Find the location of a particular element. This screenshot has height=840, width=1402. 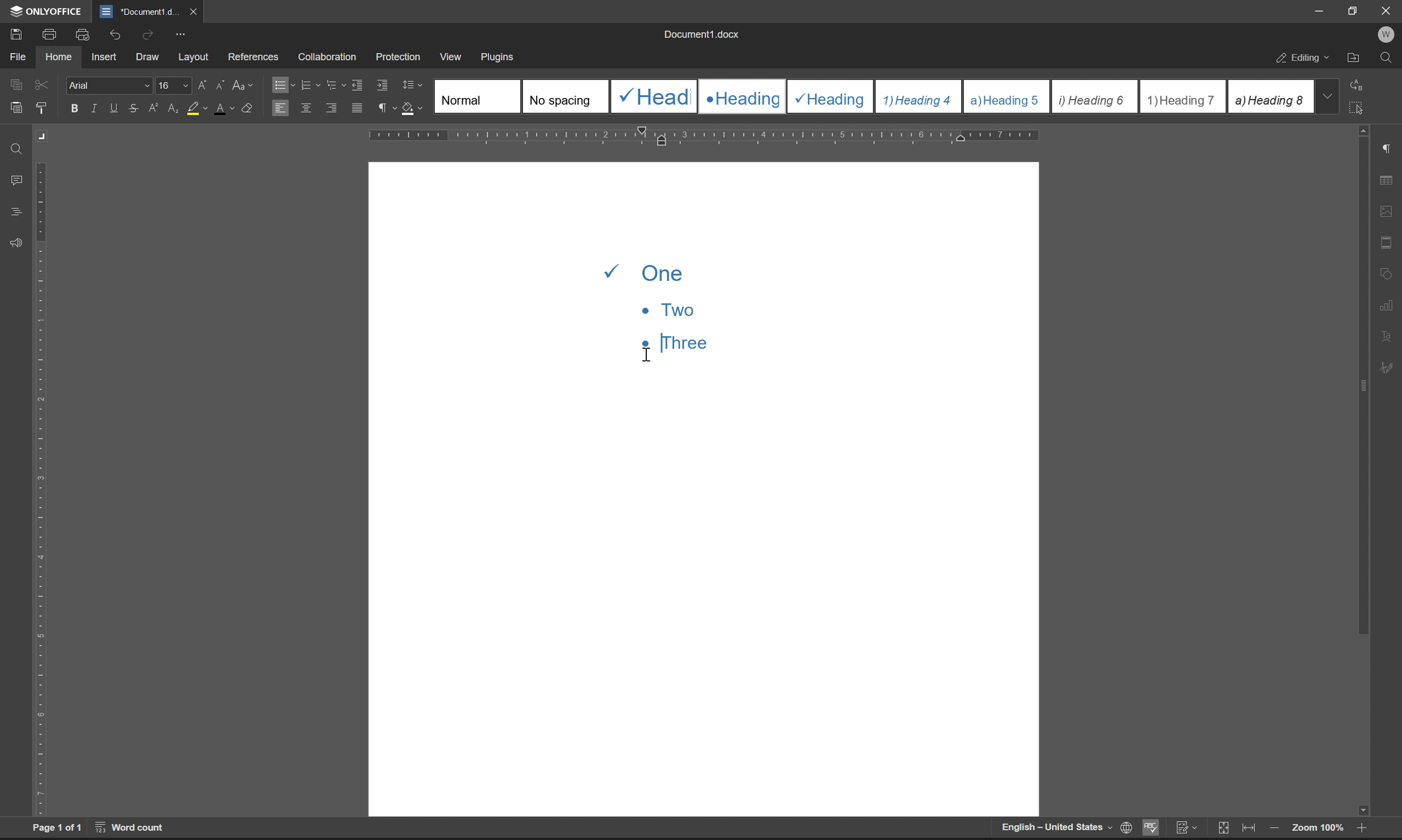

fit to slide is located at coordinates (1223, 829).